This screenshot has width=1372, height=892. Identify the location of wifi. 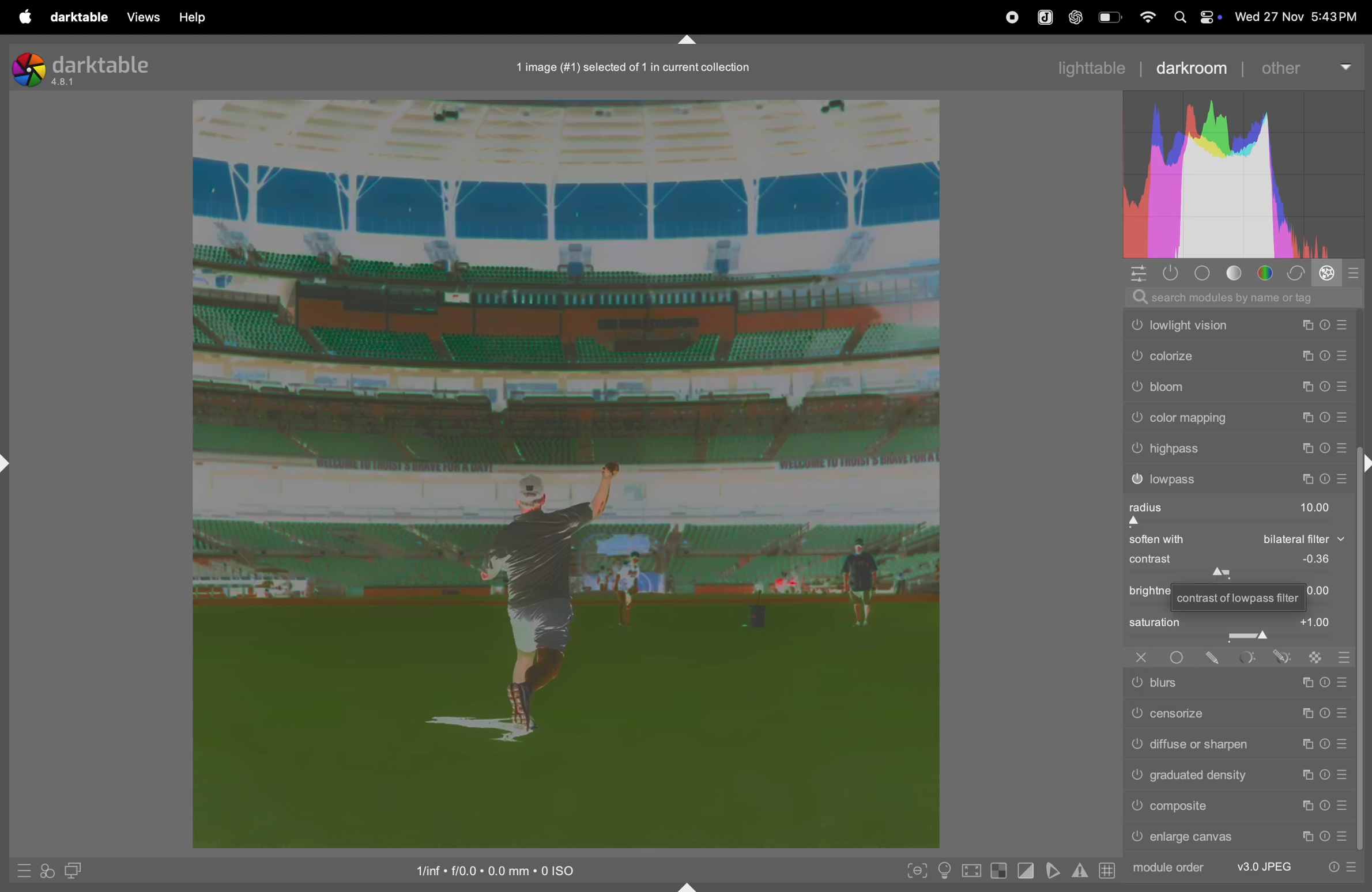
(1146, 17).